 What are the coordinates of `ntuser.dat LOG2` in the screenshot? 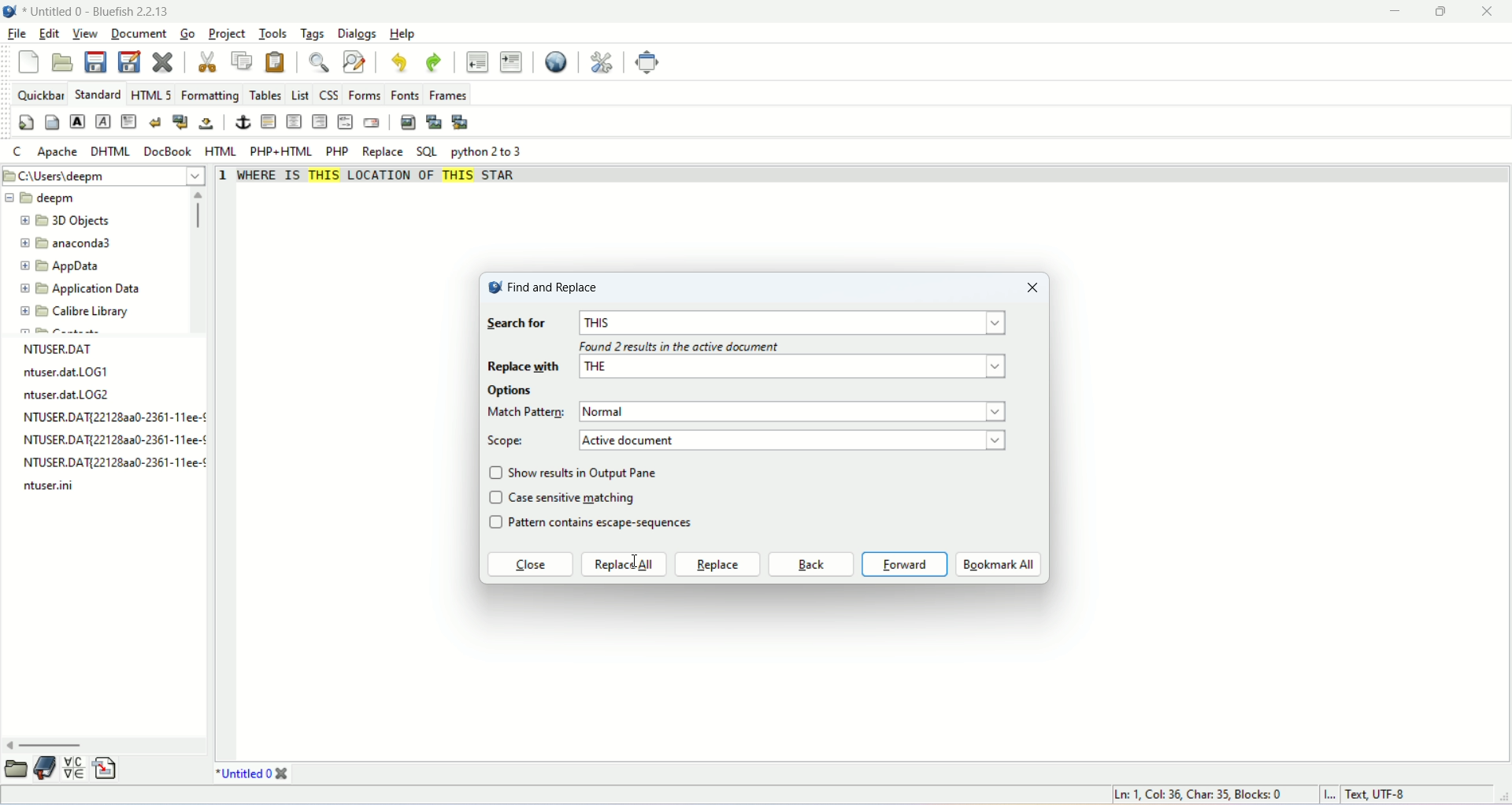 It's located at (69, 395).